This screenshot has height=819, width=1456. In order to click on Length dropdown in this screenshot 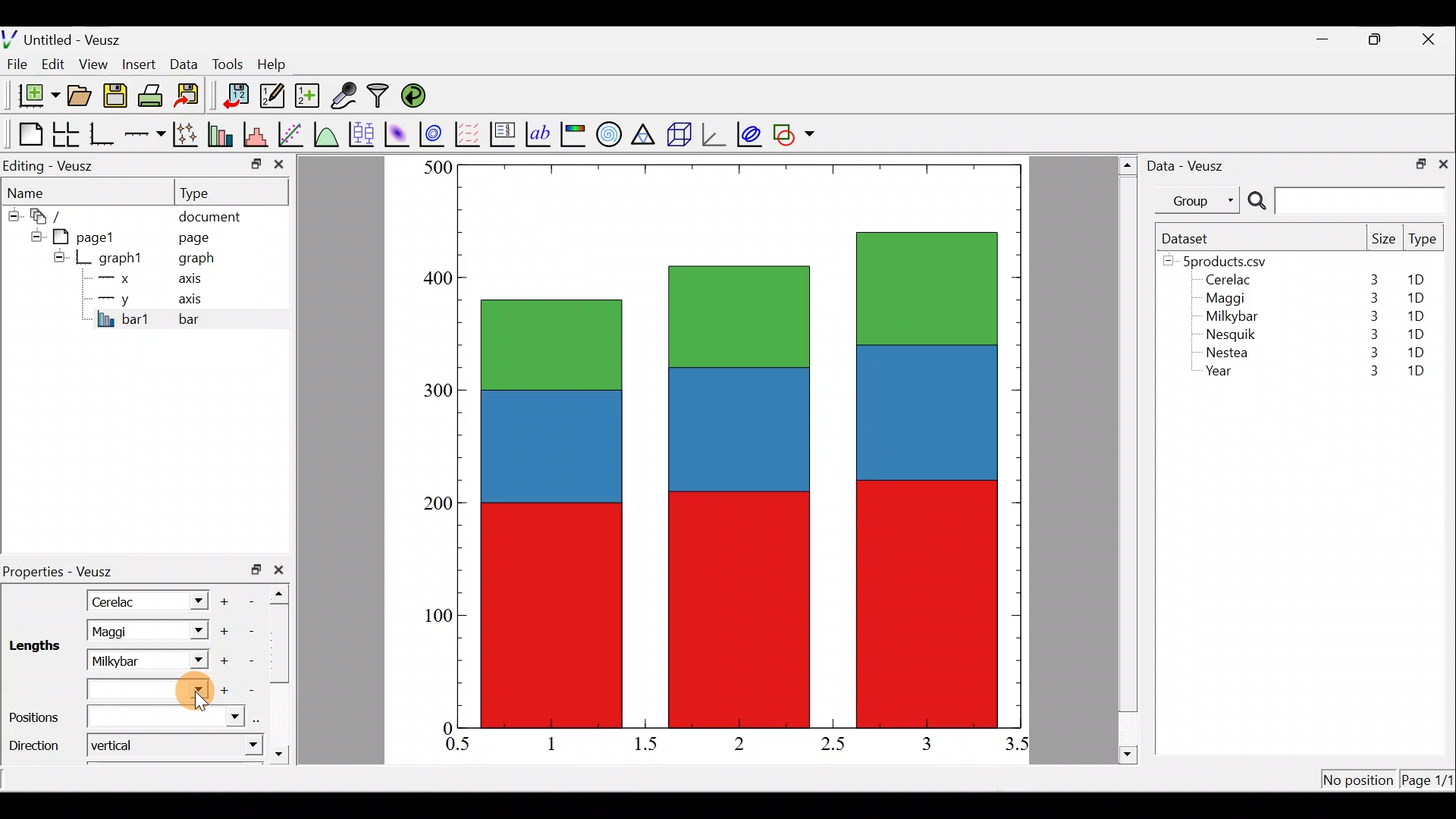, I will do `click(191, 600)`.